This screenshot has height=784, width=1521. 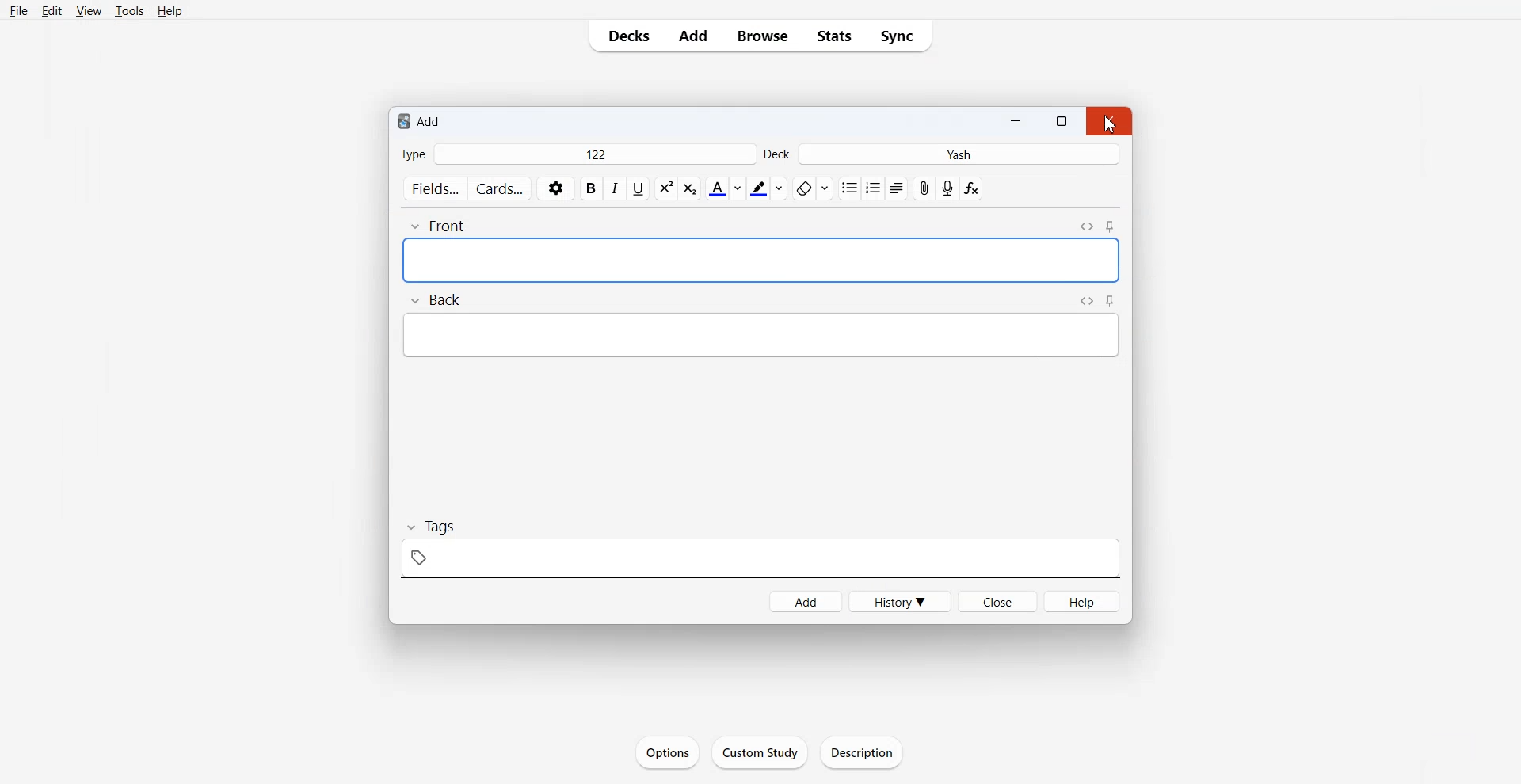 What do you see at coordinates (970, 189) in the screenshot?
I see `Equations` at bounding box center [970, 189].